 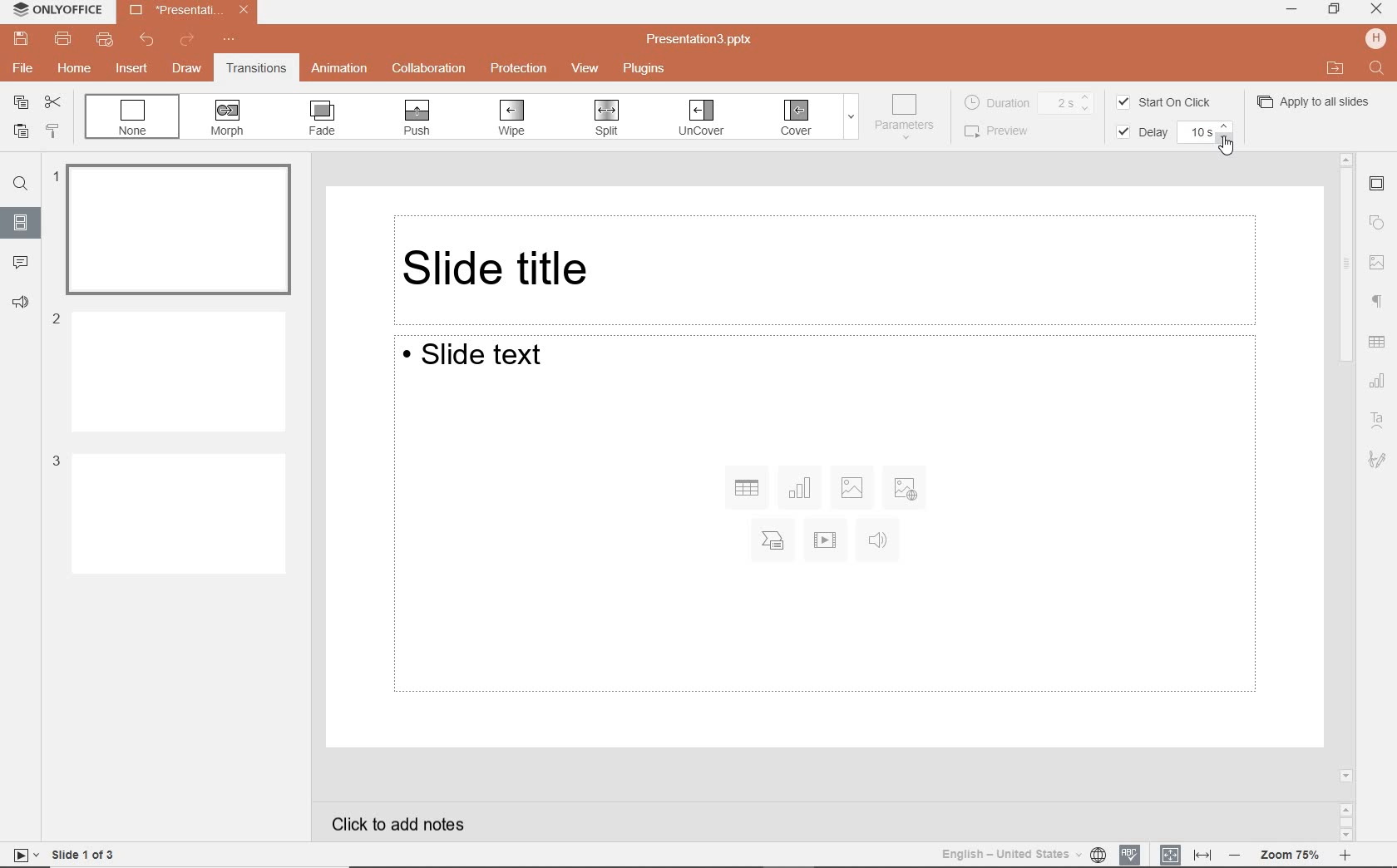 What do you see at coordinates (228, 118) in the screenshot?
I see `MORPH` at bounding box center [228, 118].